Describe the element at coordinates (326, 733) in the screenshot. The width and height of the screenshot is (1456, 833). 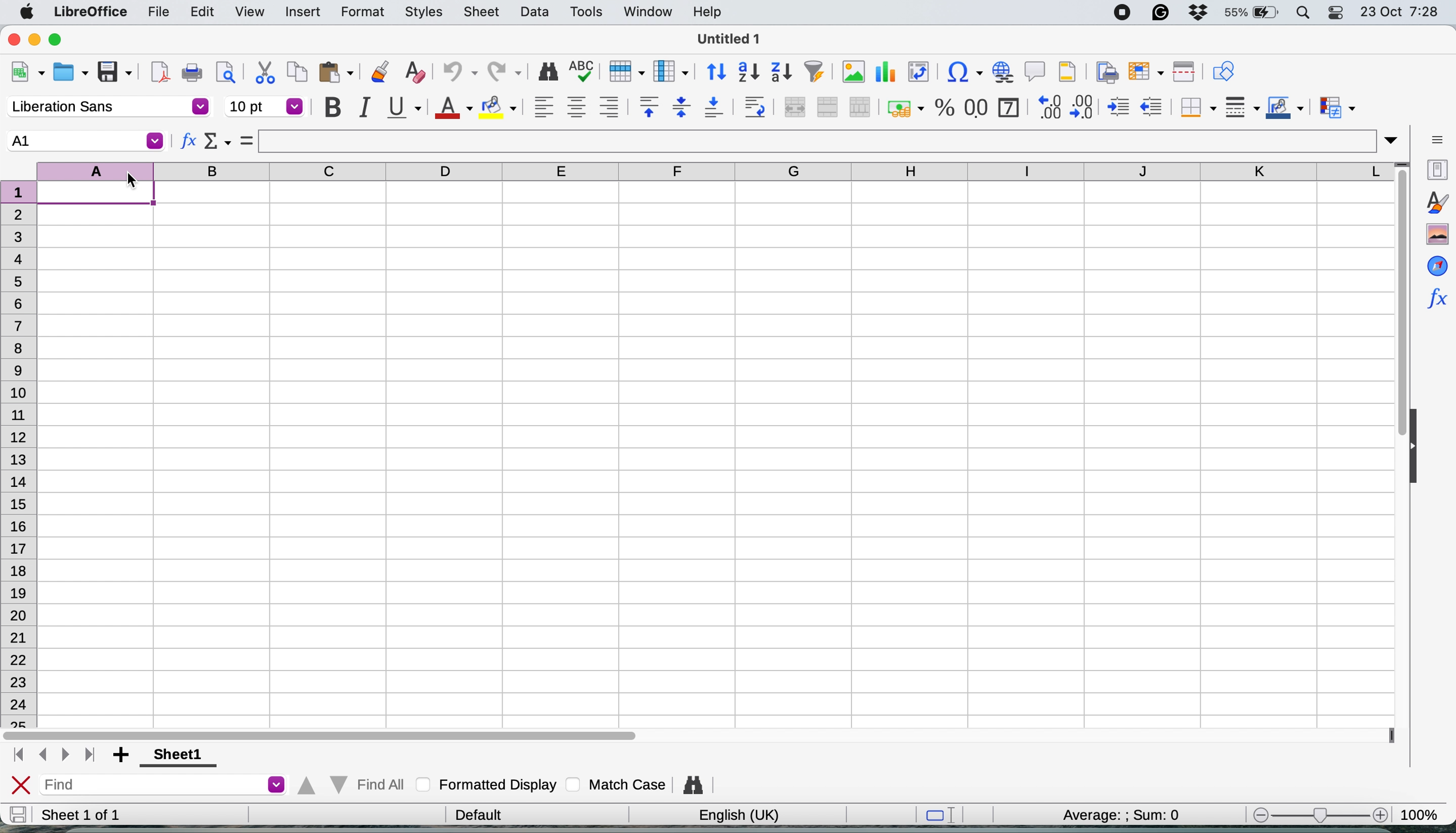
I see `horizontal scroll bar` at that location.